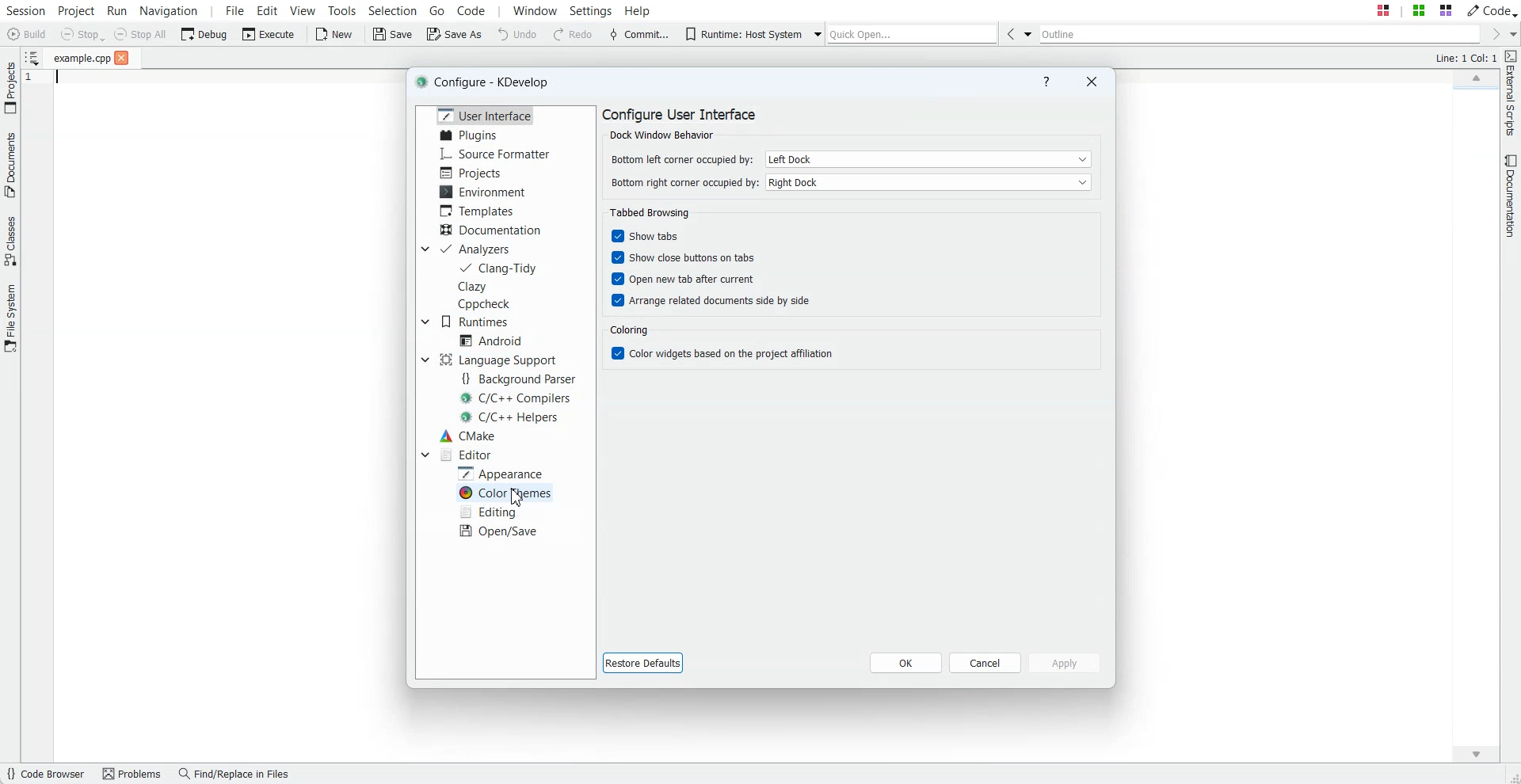  Describe the element at coordinates (1511, 94) in the screenshot. I see `External Script` at that location.